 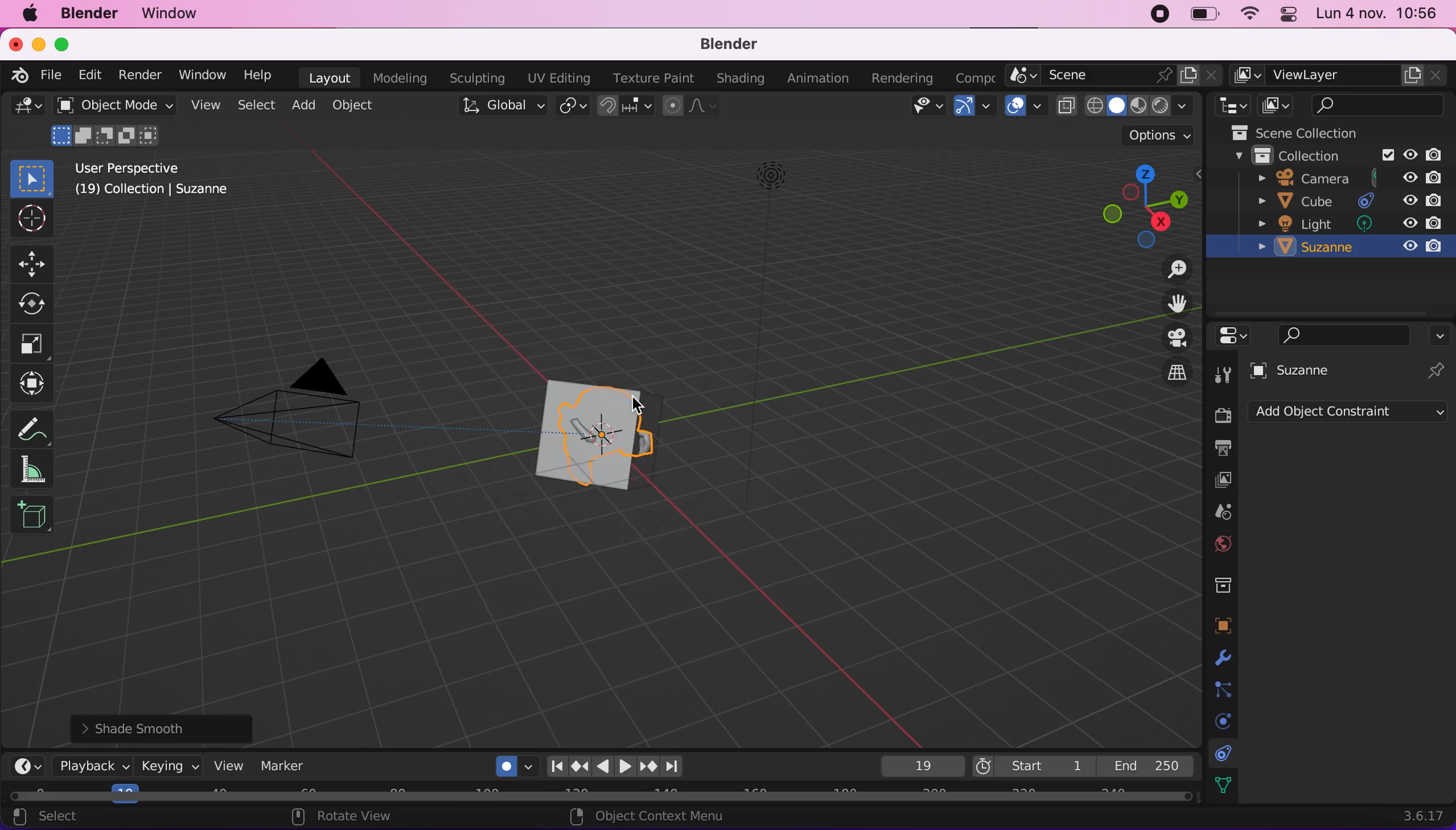 I want to click on scene, so click(x=1220, y=510).